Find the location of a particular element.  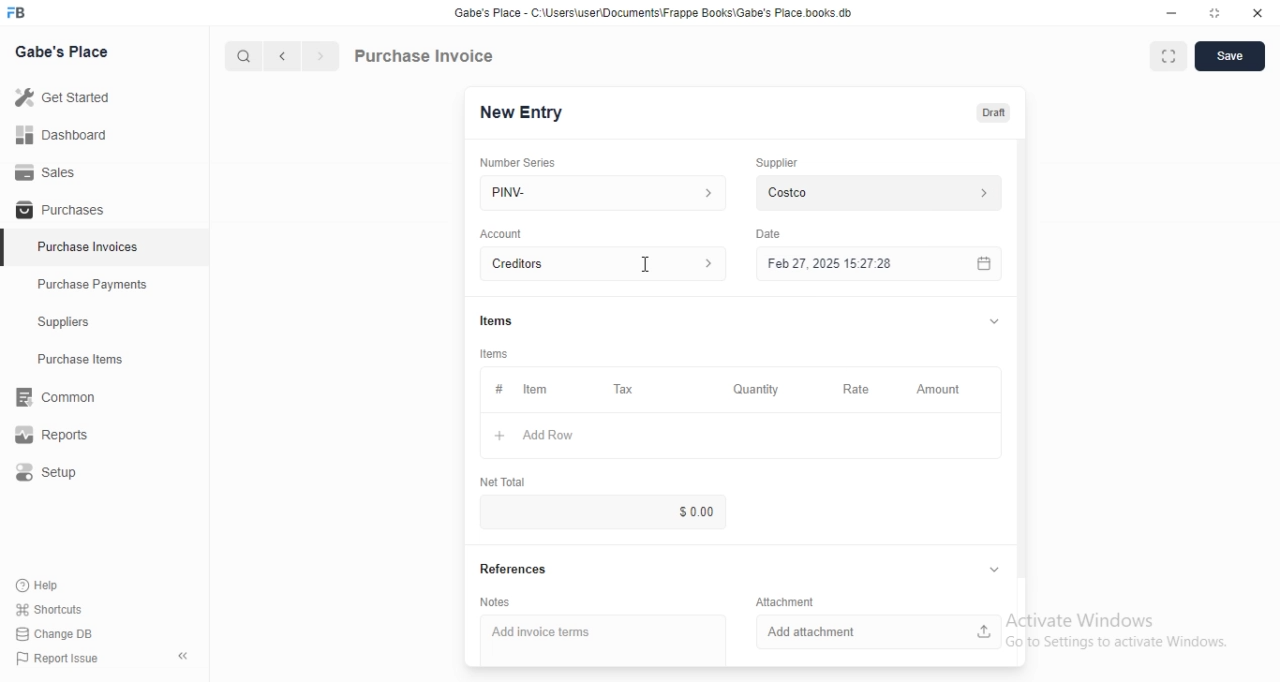

Items is located at coordinates (494, 354).